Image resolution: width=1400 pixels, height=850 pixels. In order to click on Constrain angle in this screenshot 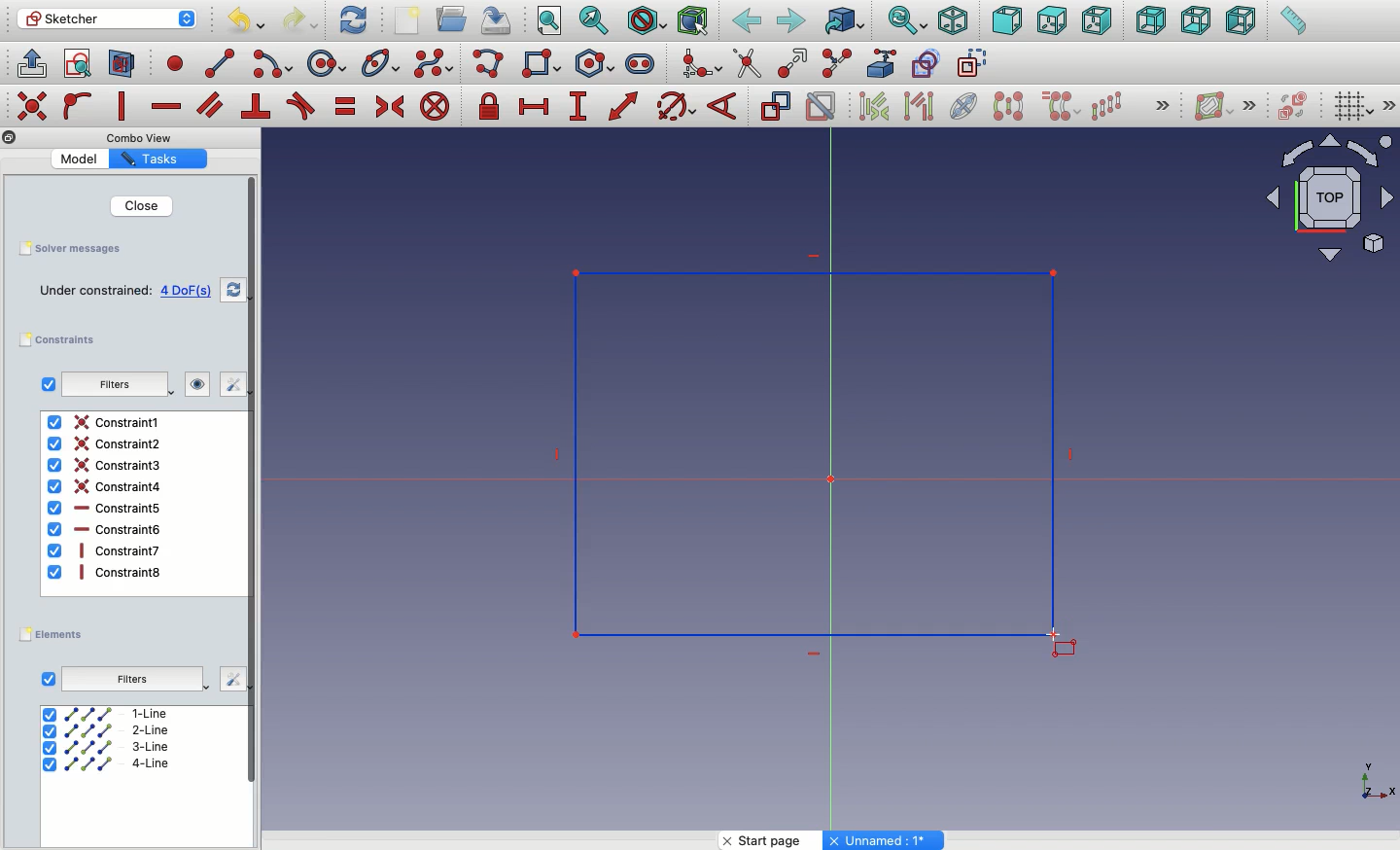, I will do `click(722, 106)`.